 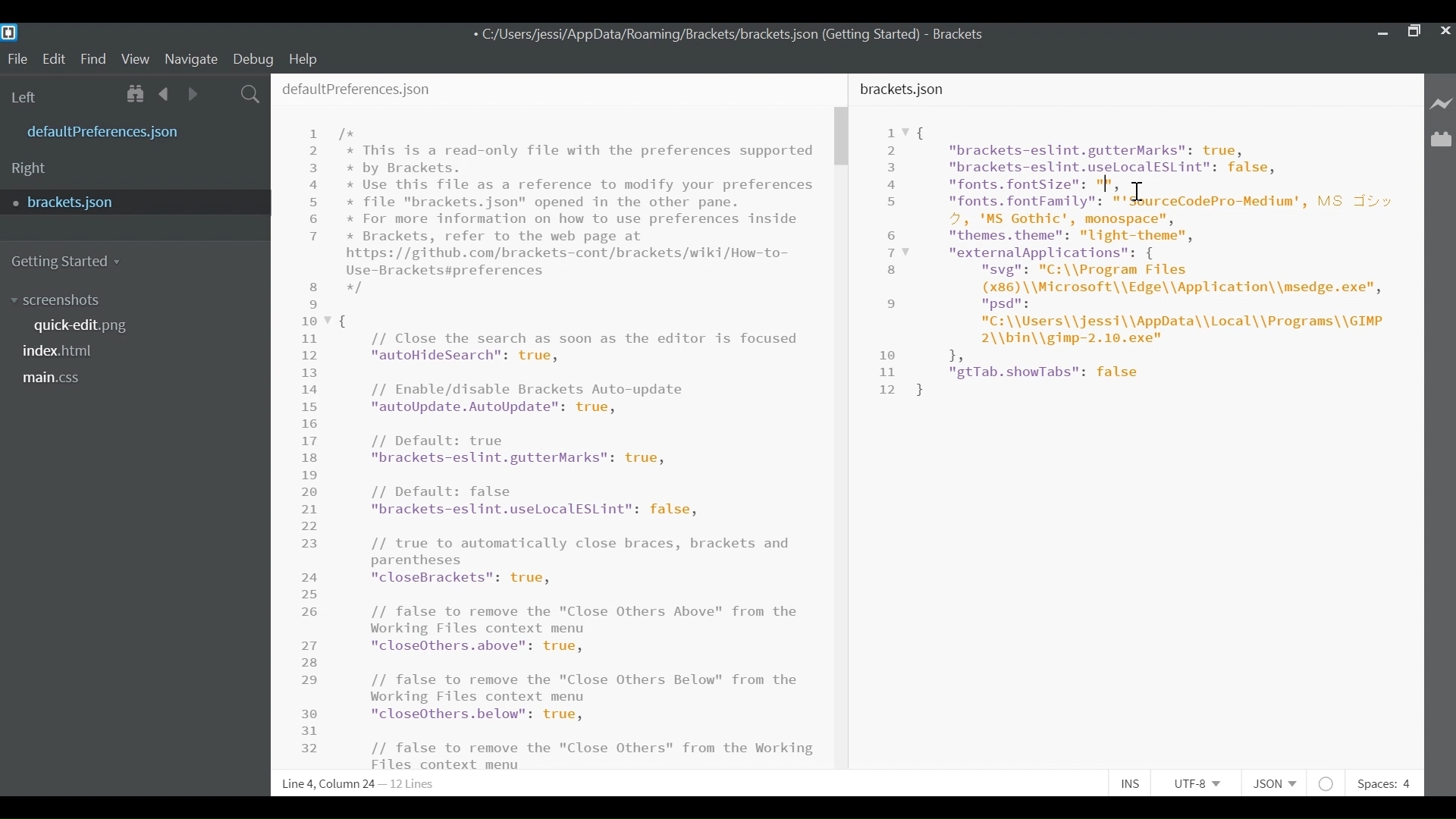 What do you see at coordinates (1139, 193) in the screenshot?
I see `cursor` at bounding box center [1139, 193].